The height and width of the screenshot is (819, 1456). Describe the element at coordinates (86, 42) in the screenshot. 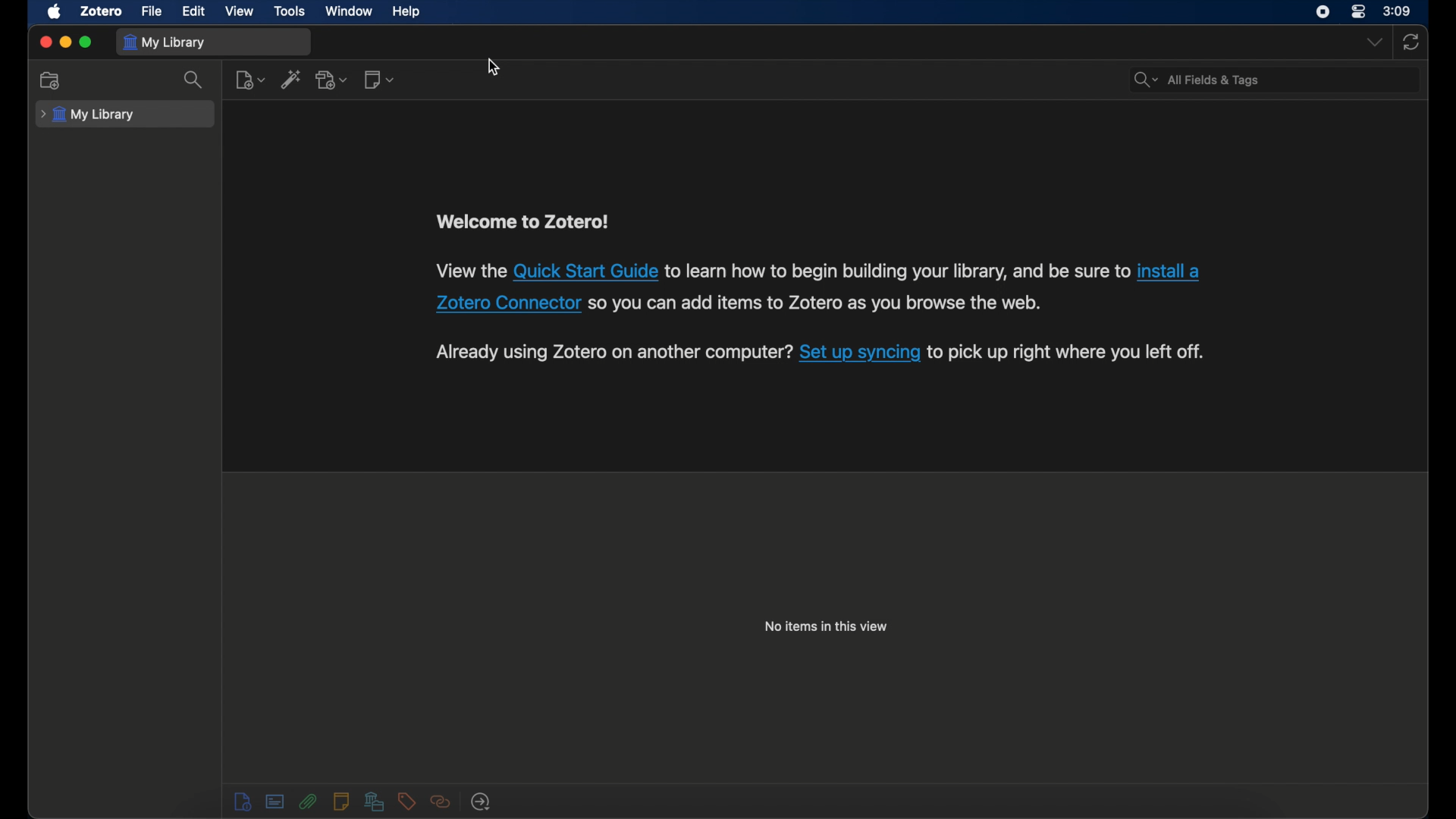

I see `maximize` at that location.